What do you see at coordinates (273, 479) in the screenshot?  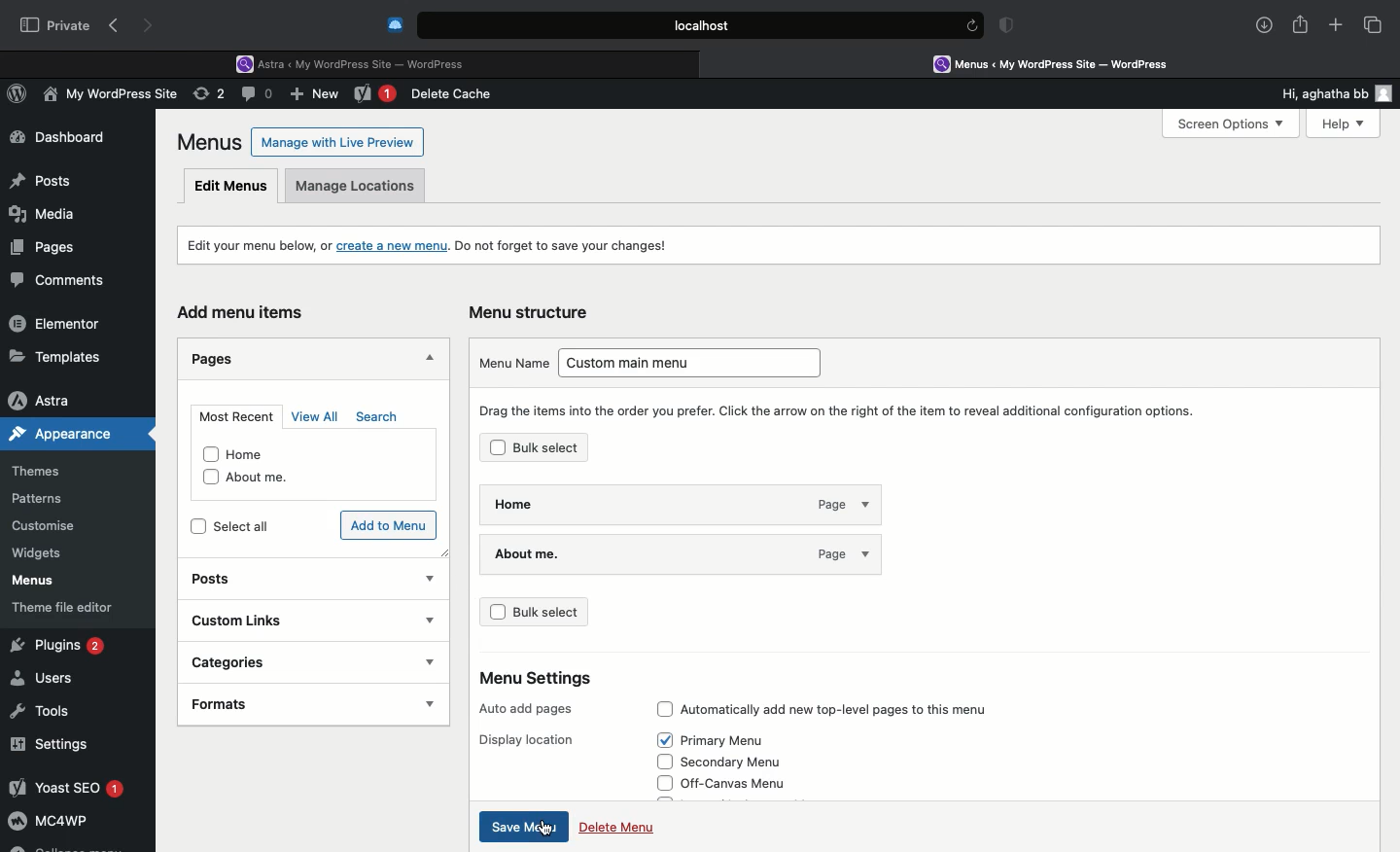 I see `About me` at bounding box center [273, 479].